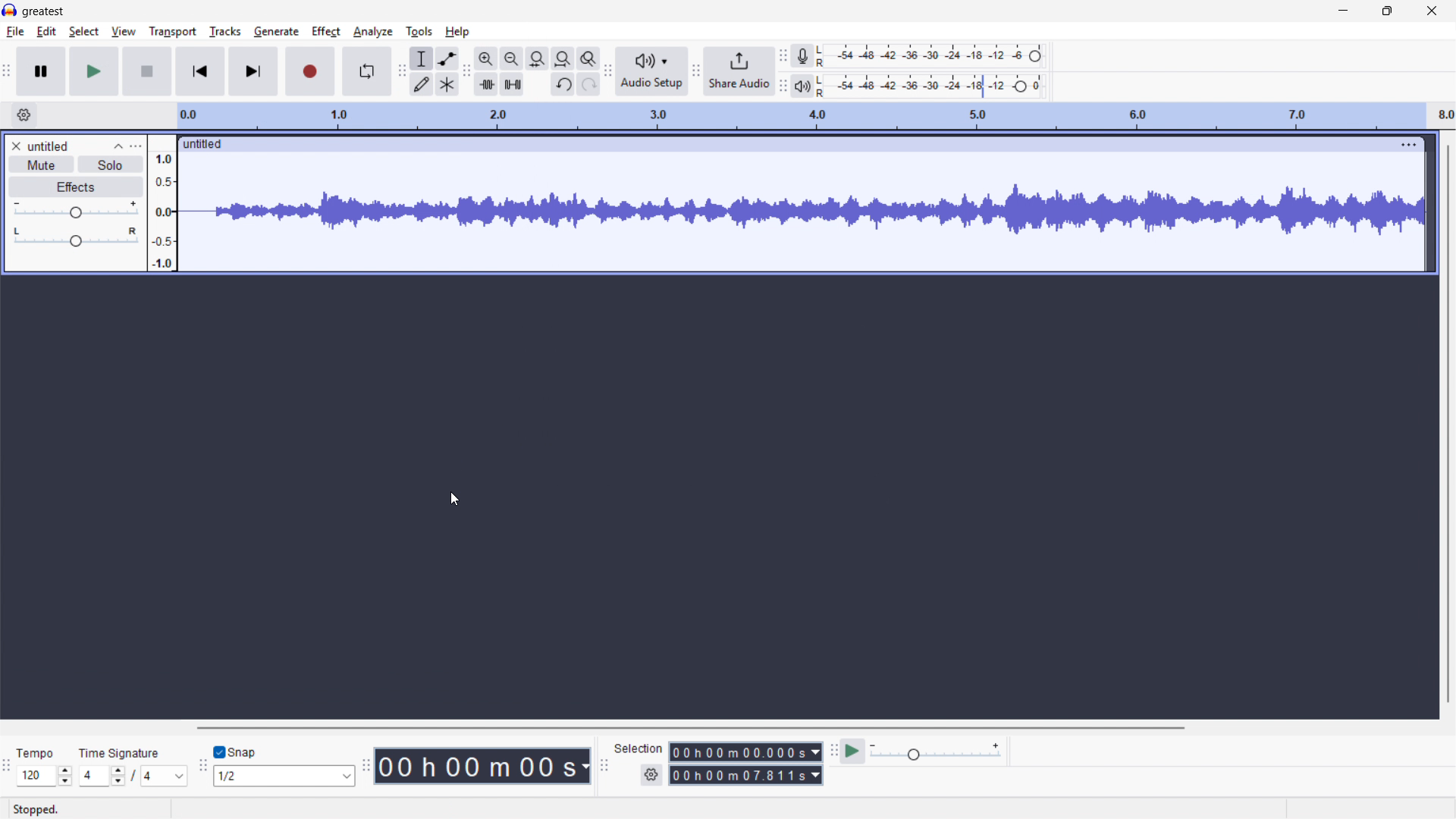 The height and width of the screenshot is (819, 1456). What do you see at coordinates (124, 32) in the screenshot?
I see `view` at bounding box center [124, 32].